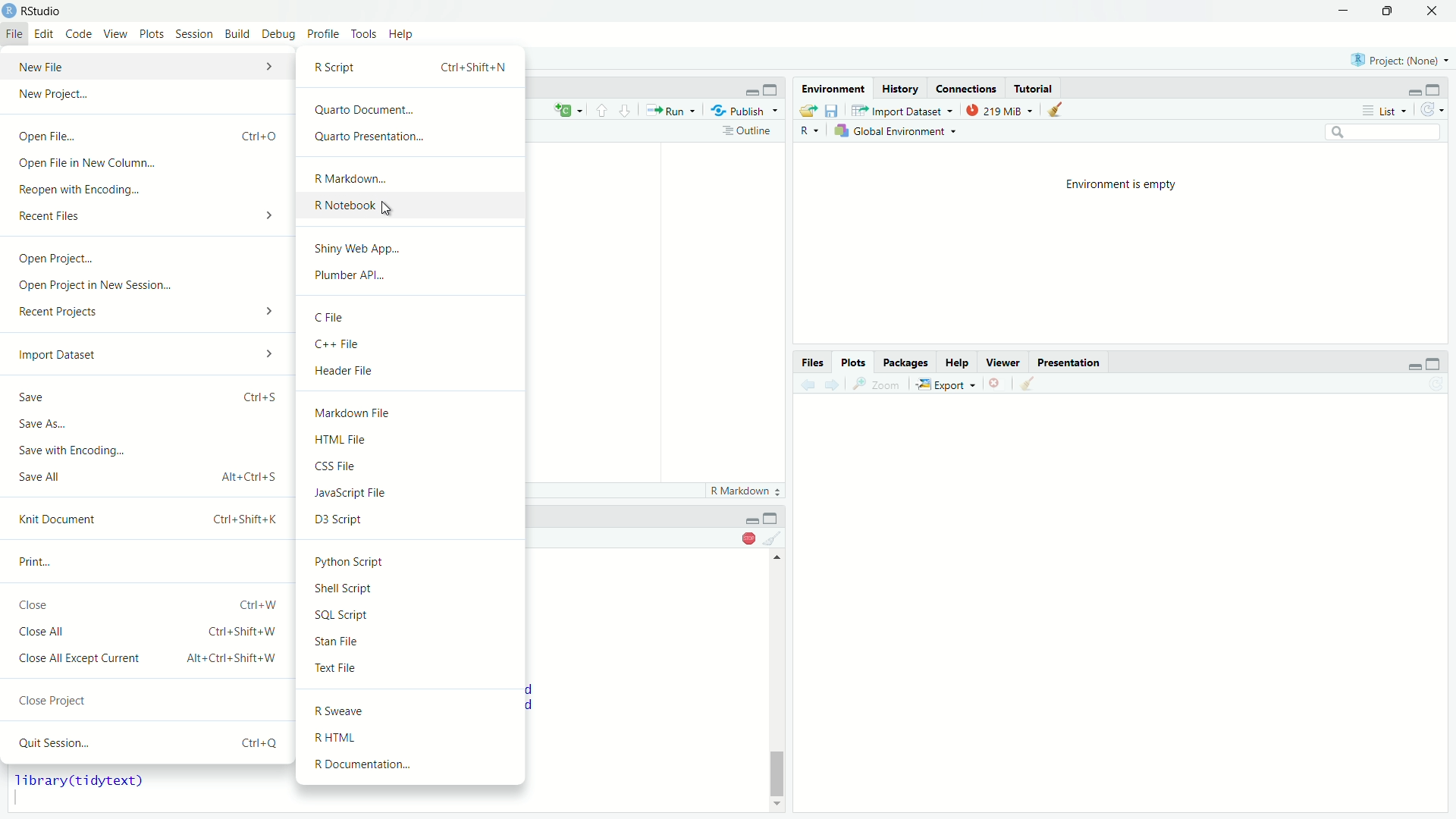 Image resolution: width=1456 pixels, height=819 pixels. I want to click on Quarto Presentation..., so click(415, 136).